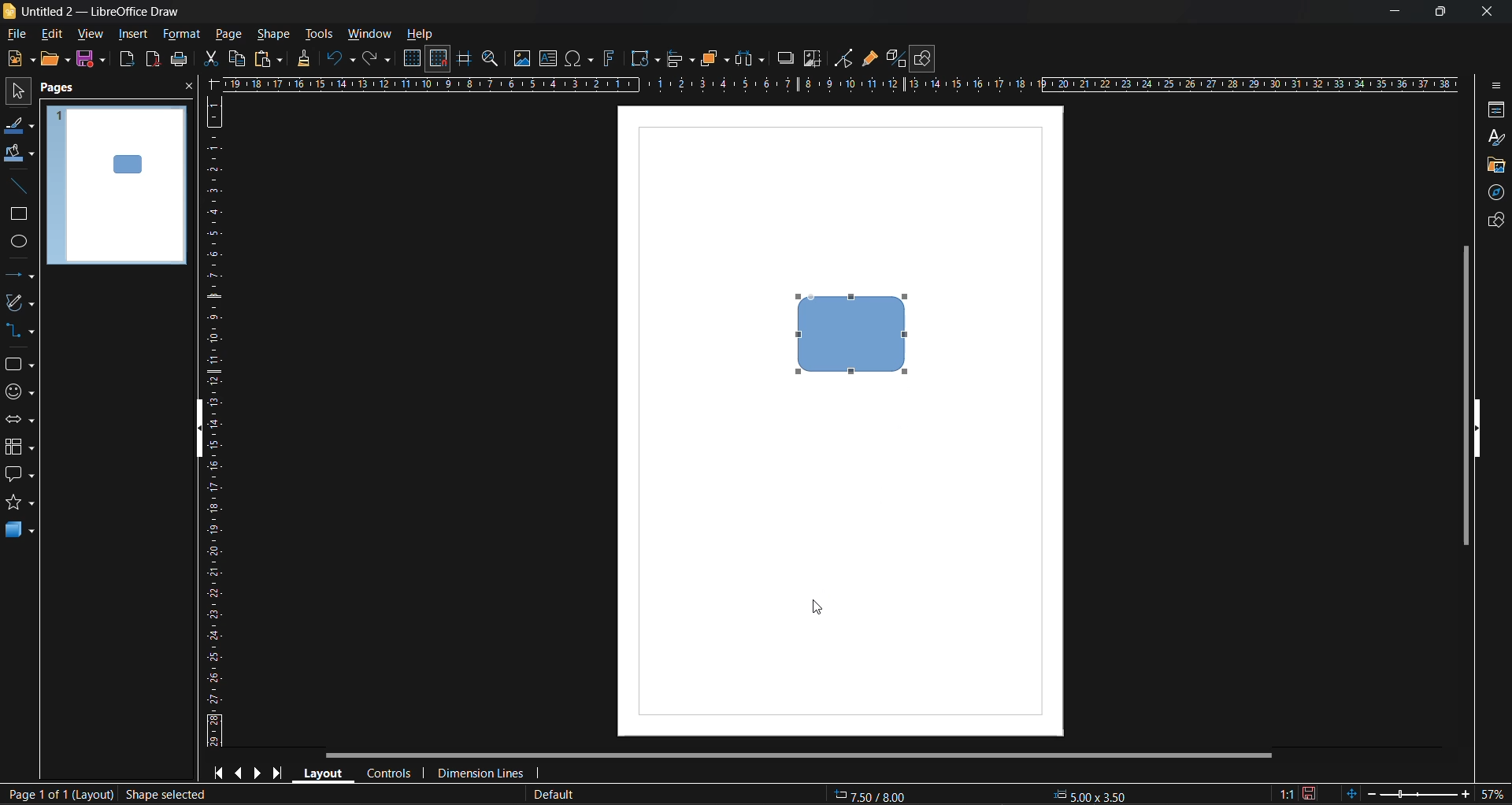 This screenshot has height=805, width=1512. I want to click on 3d shapes, so click(20, 529).